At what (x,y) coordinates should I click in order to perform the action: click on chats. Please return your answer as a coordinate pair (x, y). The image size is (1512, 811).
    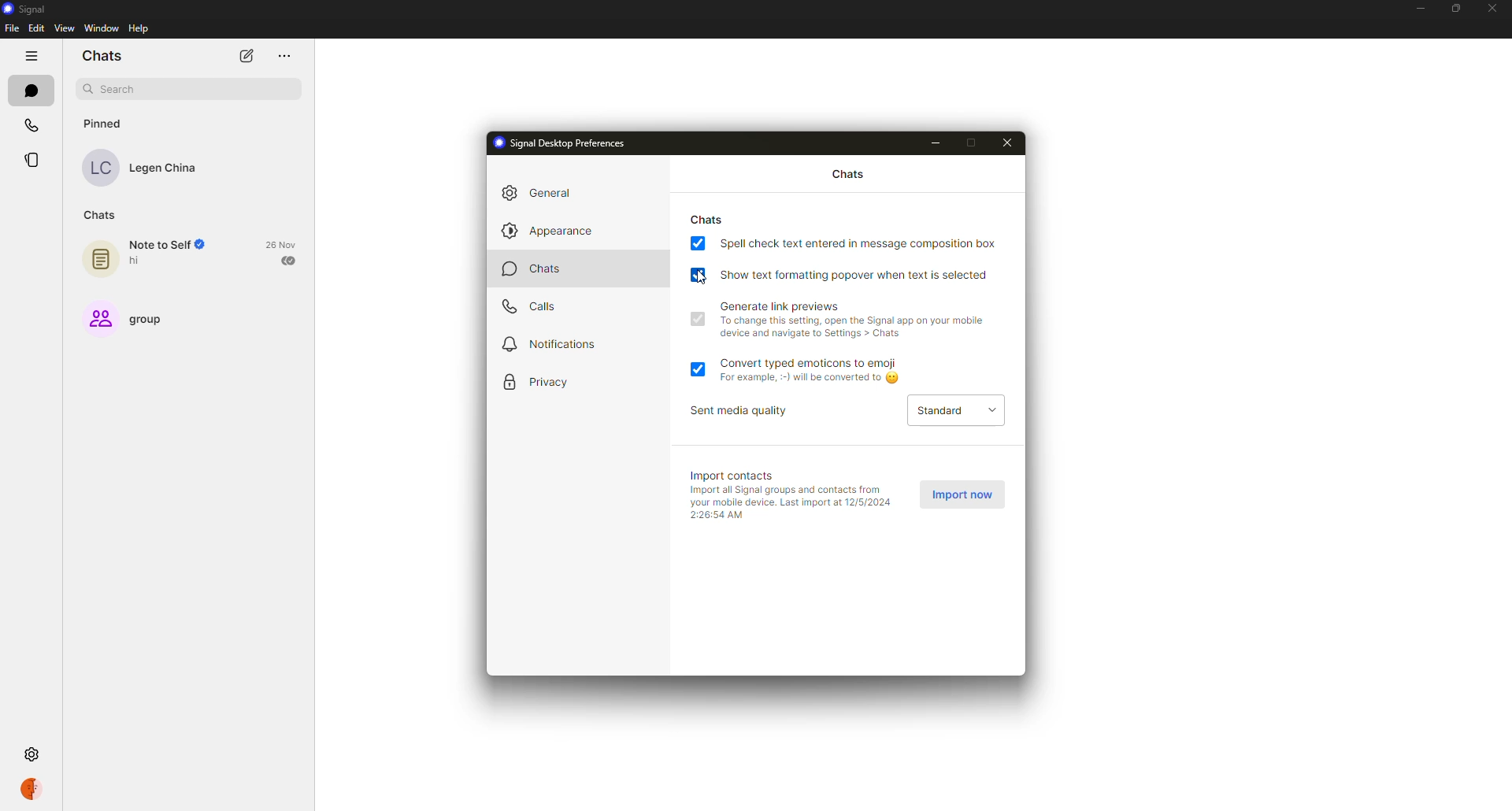
    Looking at the image, I should click on (709, 218).